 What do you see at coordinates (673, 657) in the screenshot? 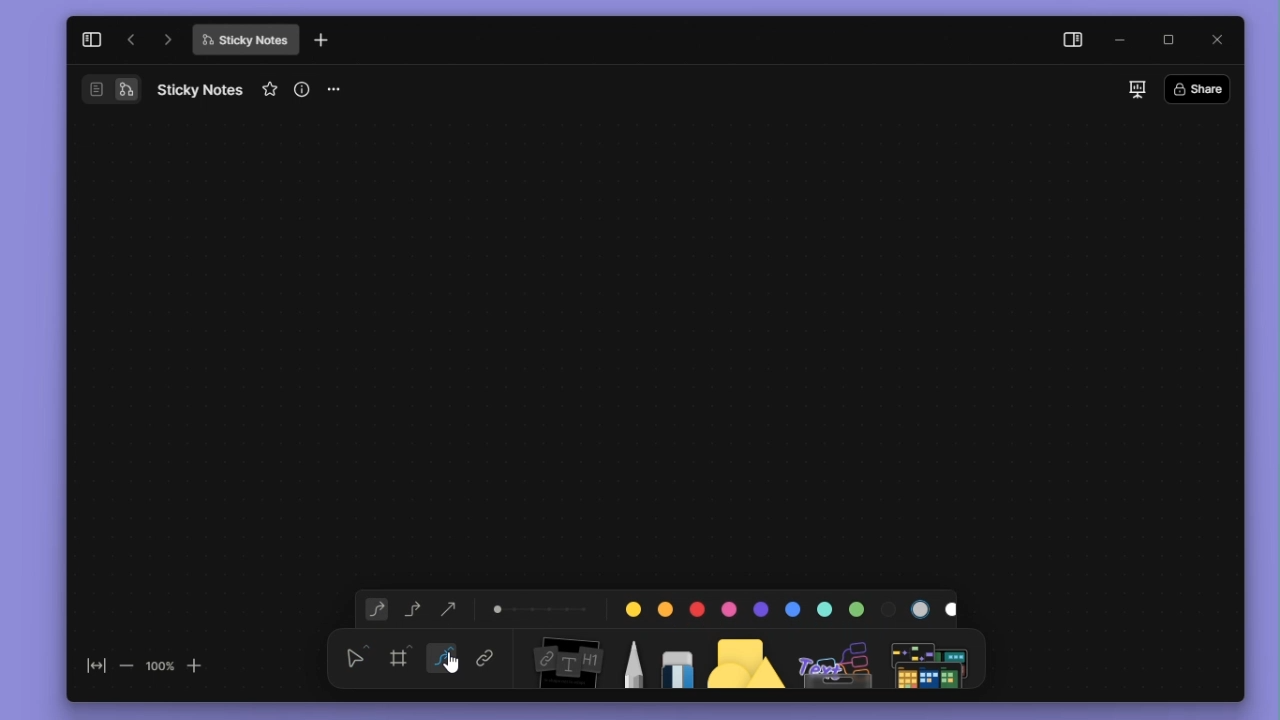
I see `eraser` at bounding box center [673, 657].